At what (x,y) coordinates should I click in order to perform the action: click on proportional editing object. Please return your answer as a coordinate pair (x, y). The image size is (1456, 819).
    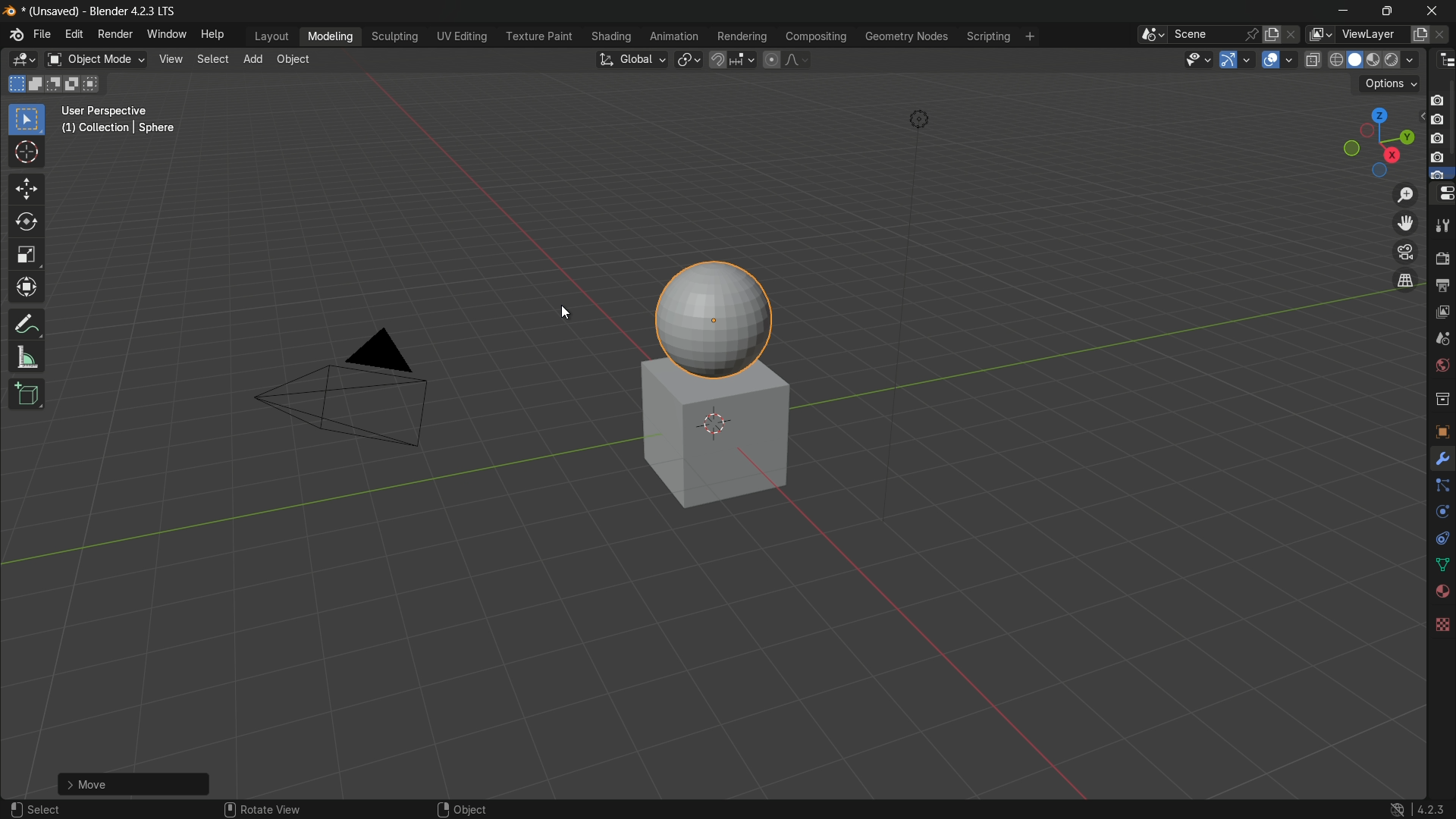
    Looking at the image, I should click on (771, 59).